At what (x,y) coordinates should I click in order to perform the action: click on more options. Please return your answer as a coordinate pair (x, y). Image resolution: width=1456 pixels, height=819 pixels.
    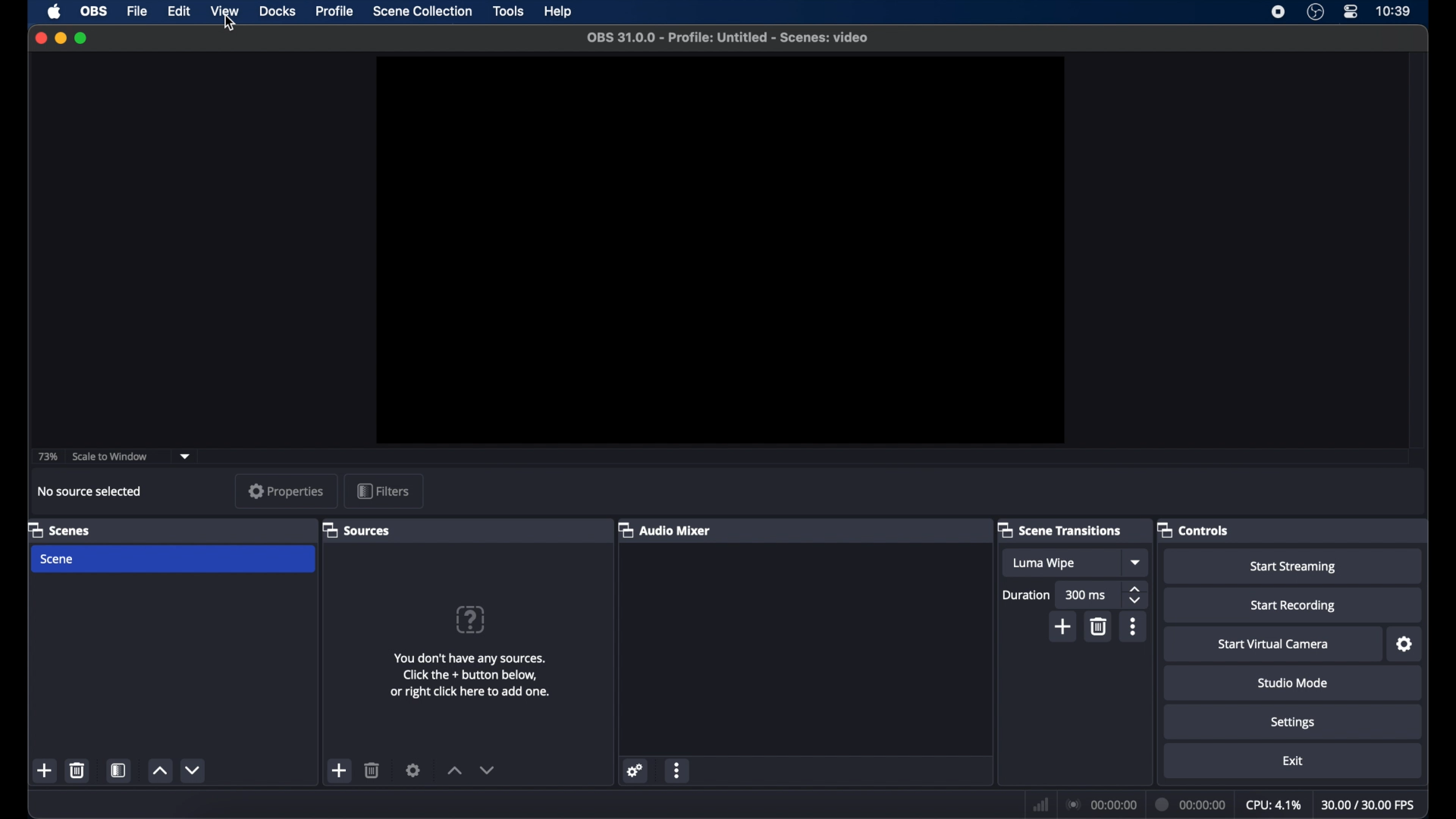
    Looking at the image, I should click on (678, 770).